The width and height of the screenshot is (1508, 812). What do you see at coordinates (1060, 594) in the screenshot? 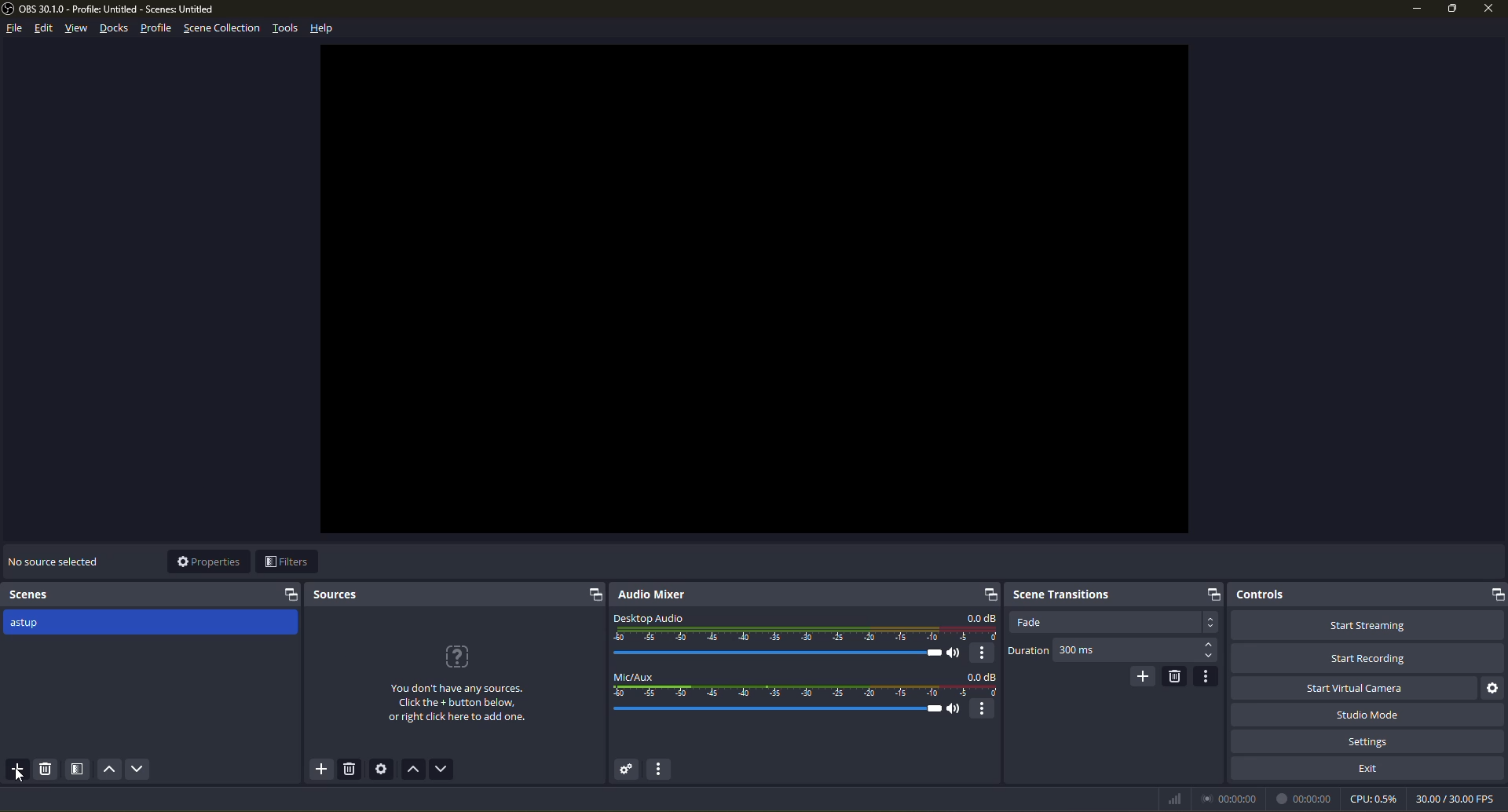
I see `scene trasitions` at bounding box center [1060, 594].